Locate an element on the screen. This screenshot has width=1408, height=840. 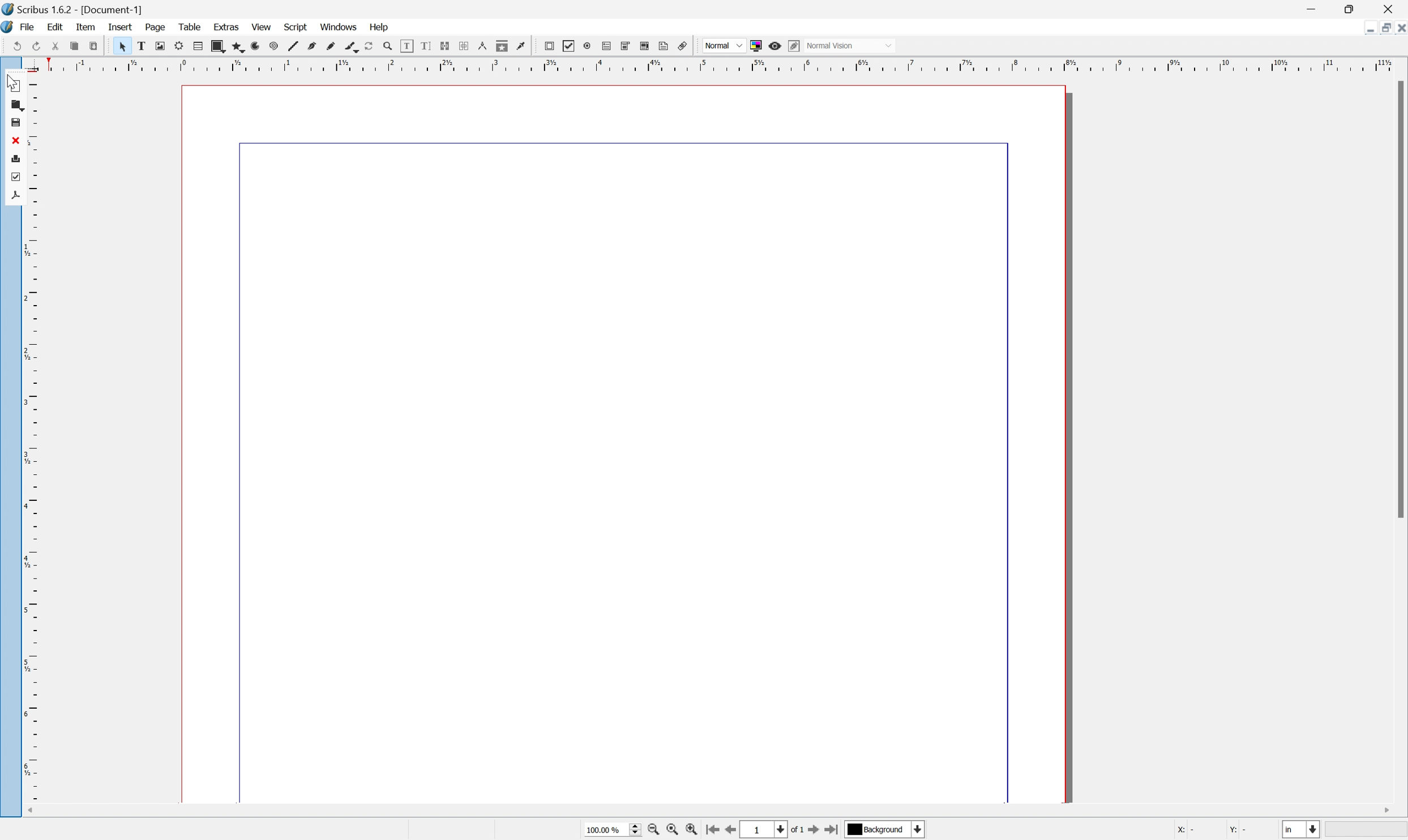
go to next page is located at coordinates (811, 830).